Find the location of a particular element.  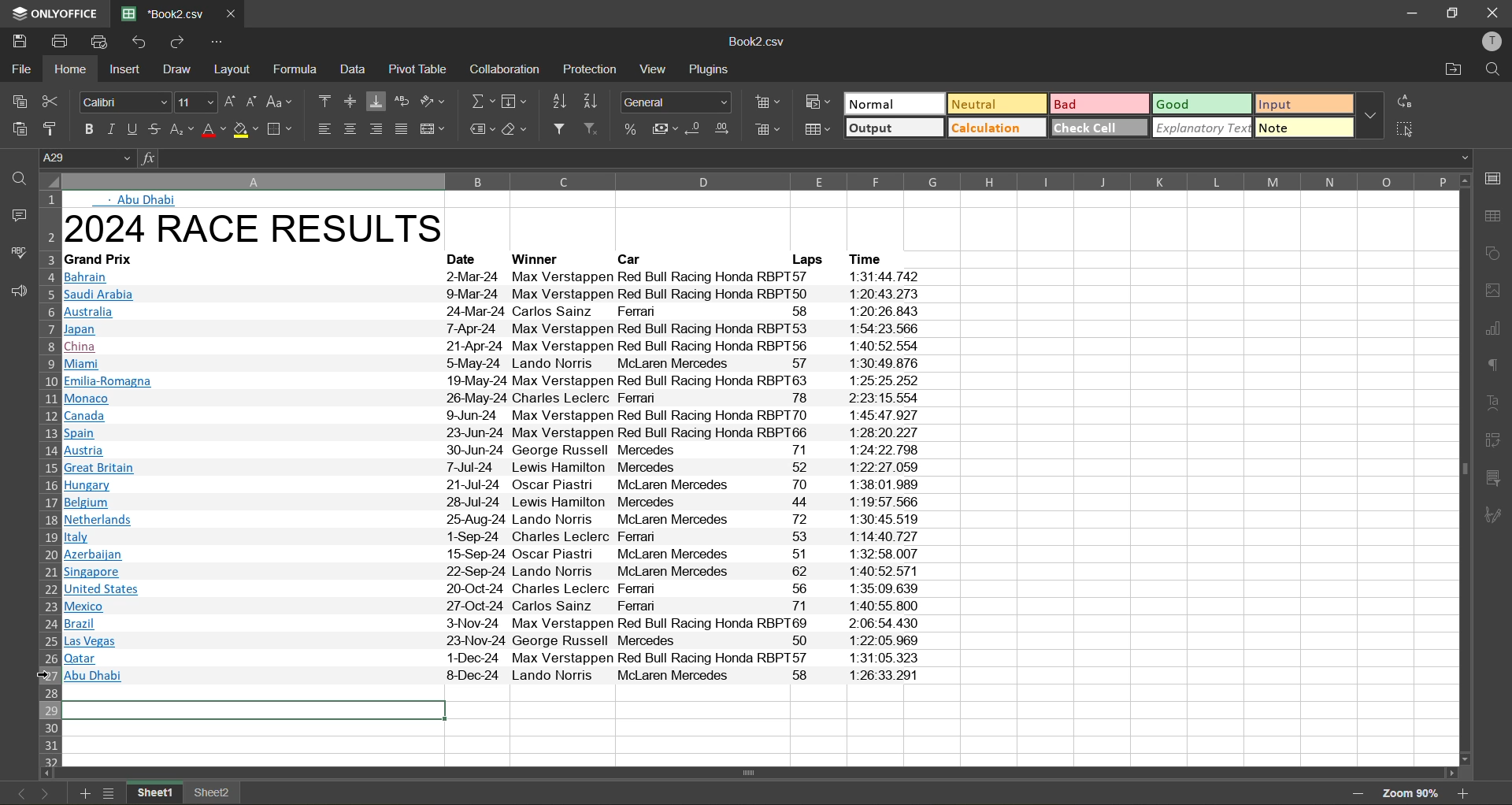

cut is located at coordinates (57, 101).